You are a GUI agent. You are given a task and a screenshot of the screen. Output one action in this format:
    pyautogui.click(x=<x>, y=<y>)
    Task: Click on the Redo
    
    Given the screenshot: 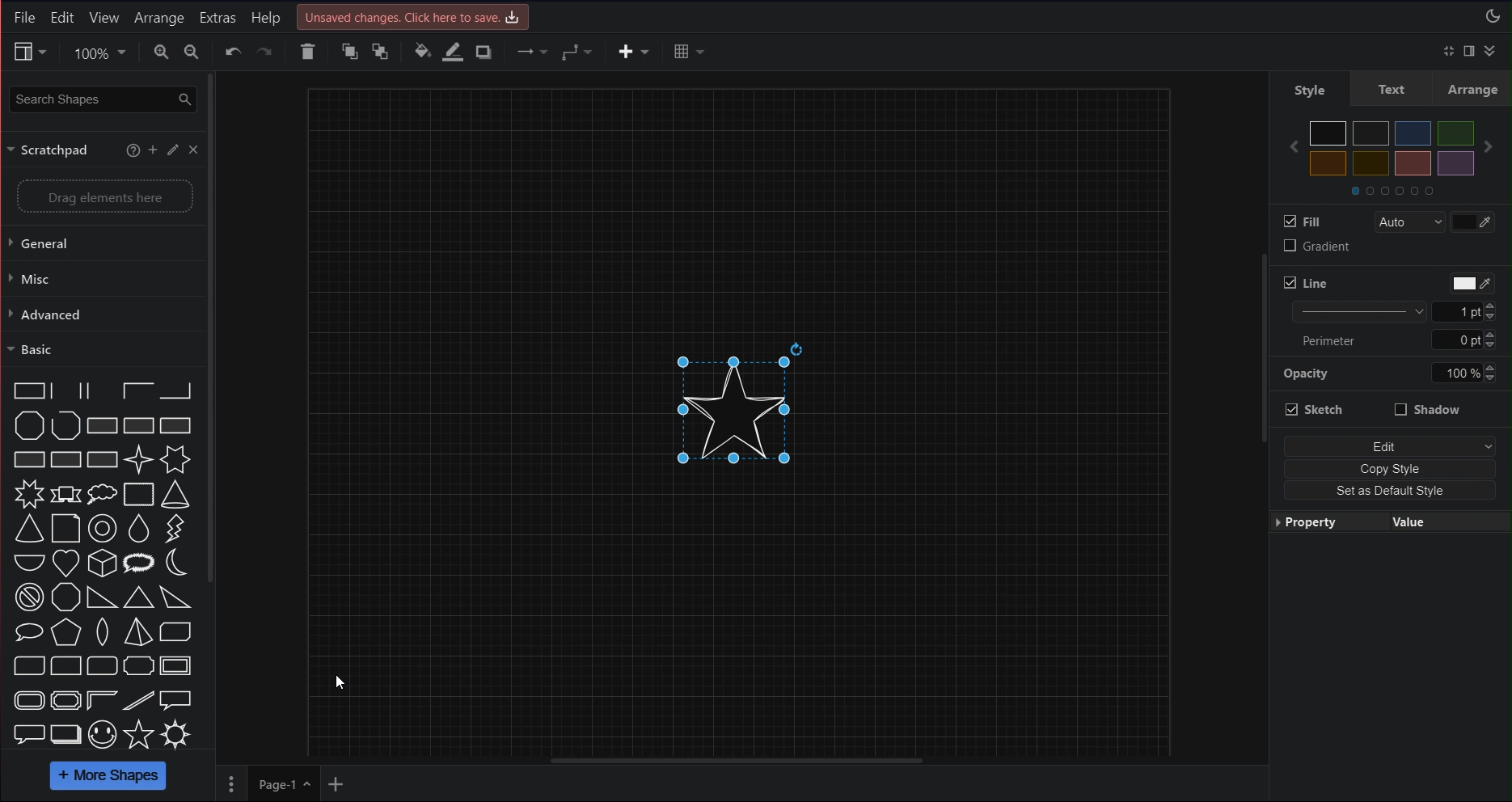 What is the action you would take?
    pyautogui.click(x=265, y=51)
    